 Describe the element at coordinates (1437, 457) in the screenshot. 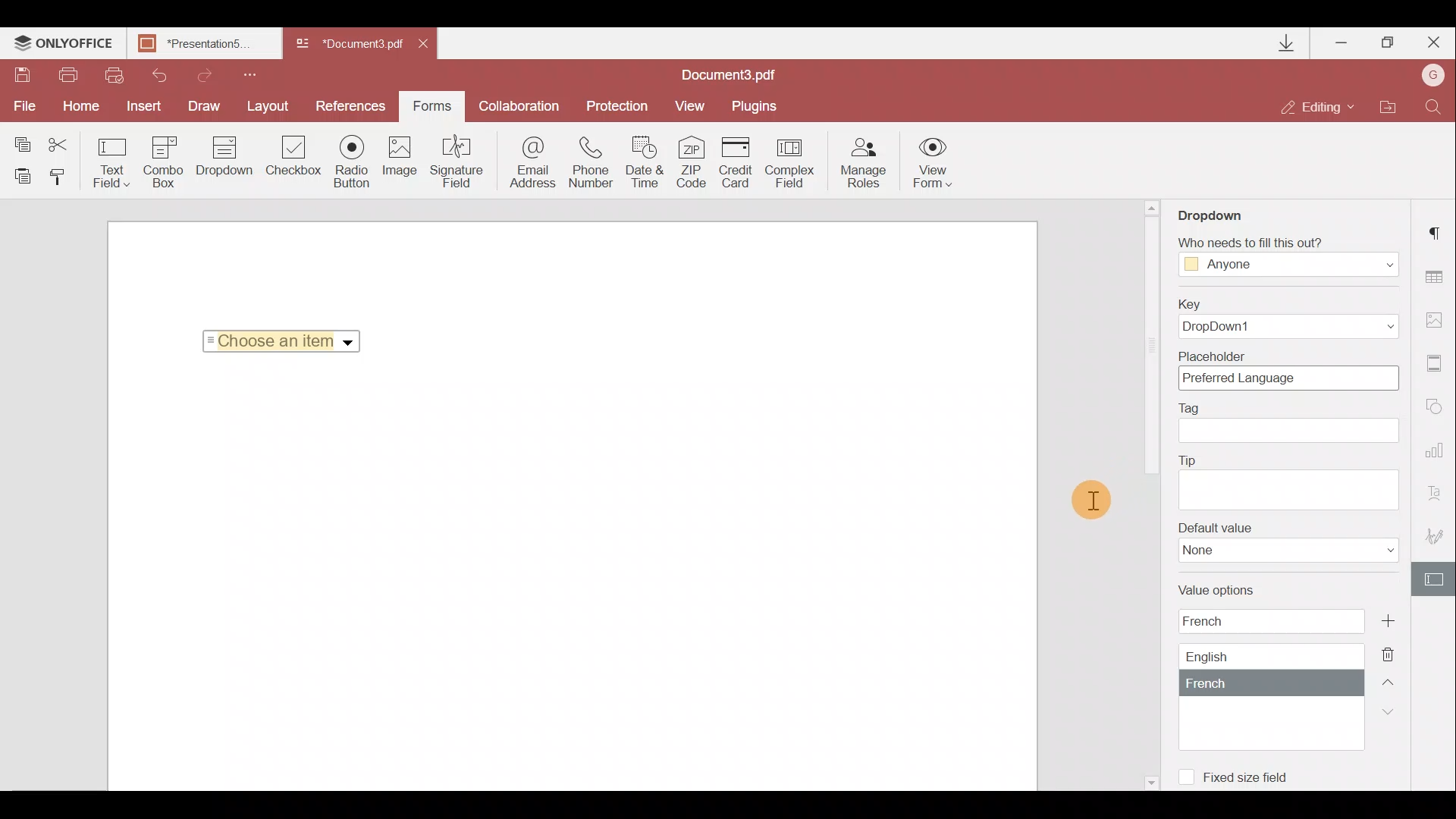

I see `Chart settings` at that location.